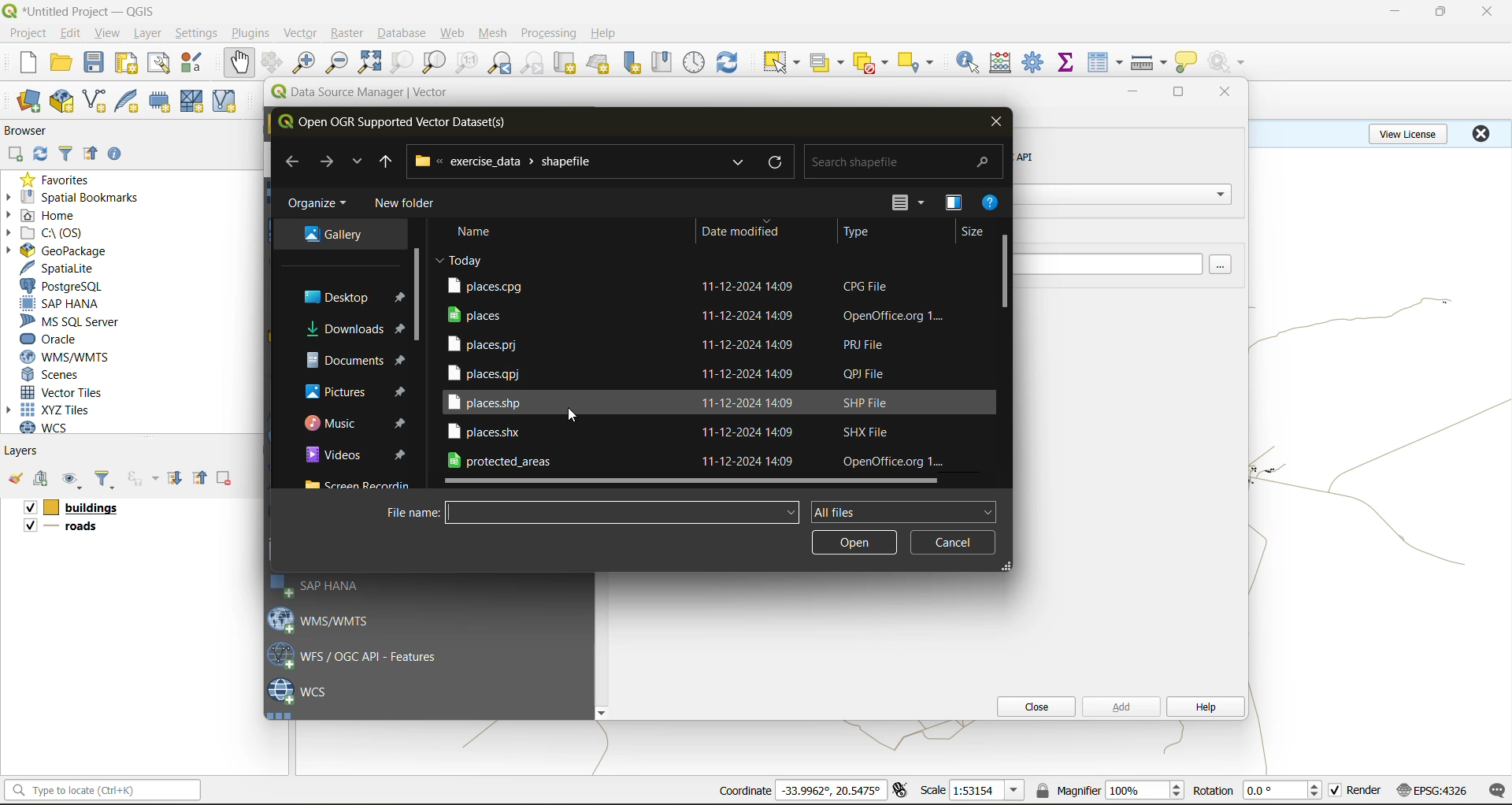  What do you see at coordinates (1336, 791) in the screenshot?
I see `checkbox` at bounding box center [1336, 791].